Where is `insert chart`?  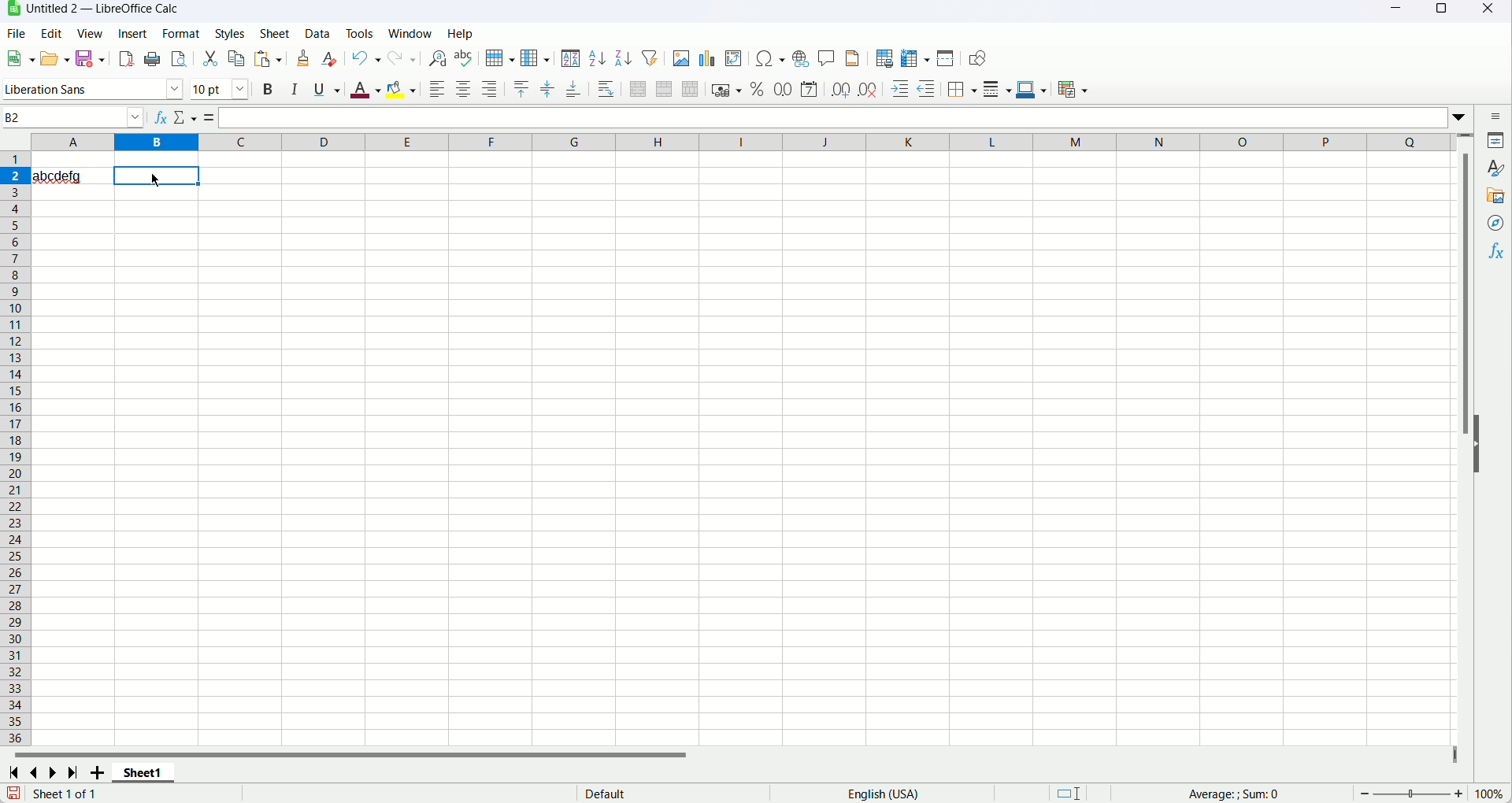 insert chart is located at coordinates (706, 59).